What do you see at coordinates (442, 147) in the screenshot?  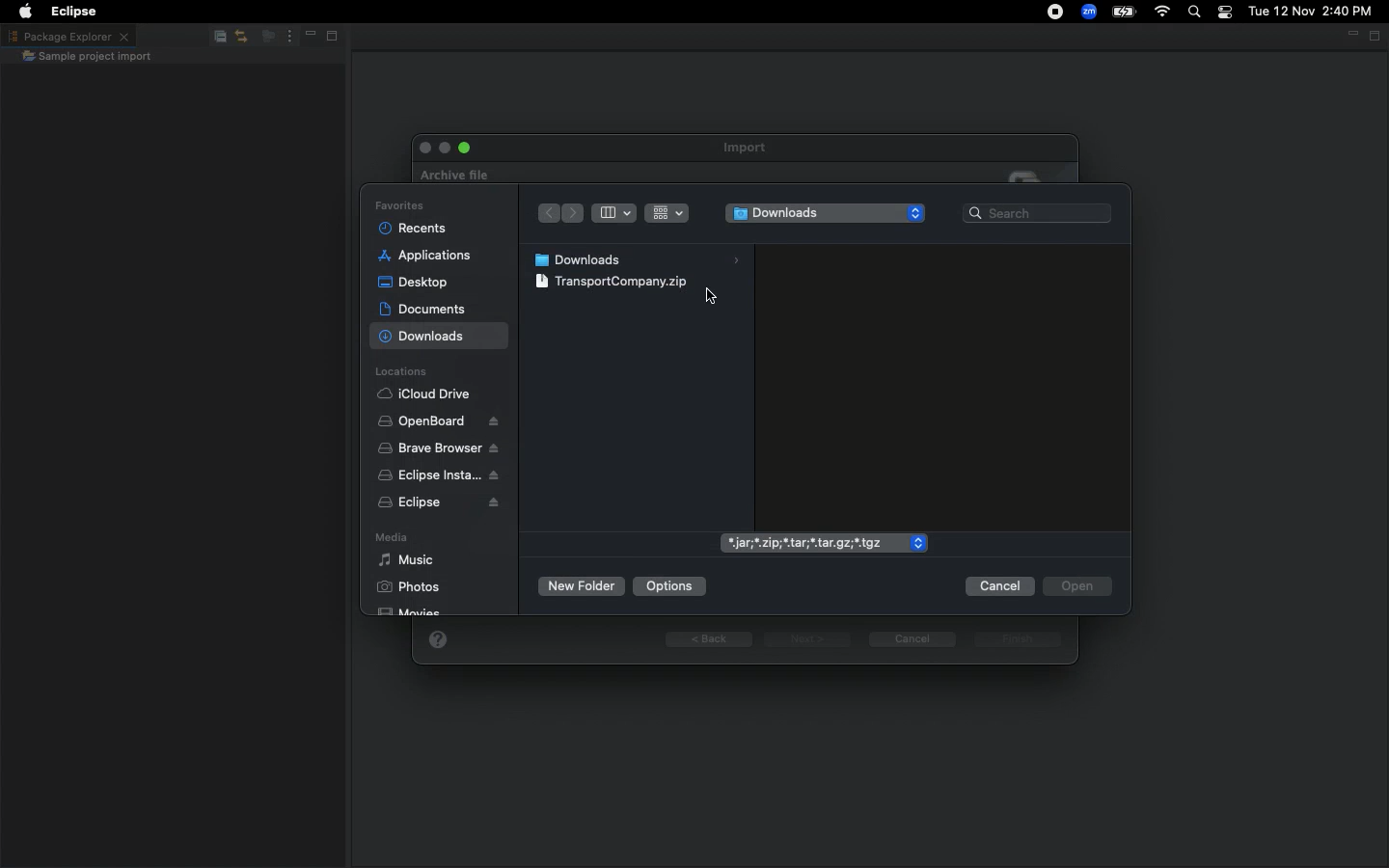 I see `minimize` at bounding box center [442, 147].